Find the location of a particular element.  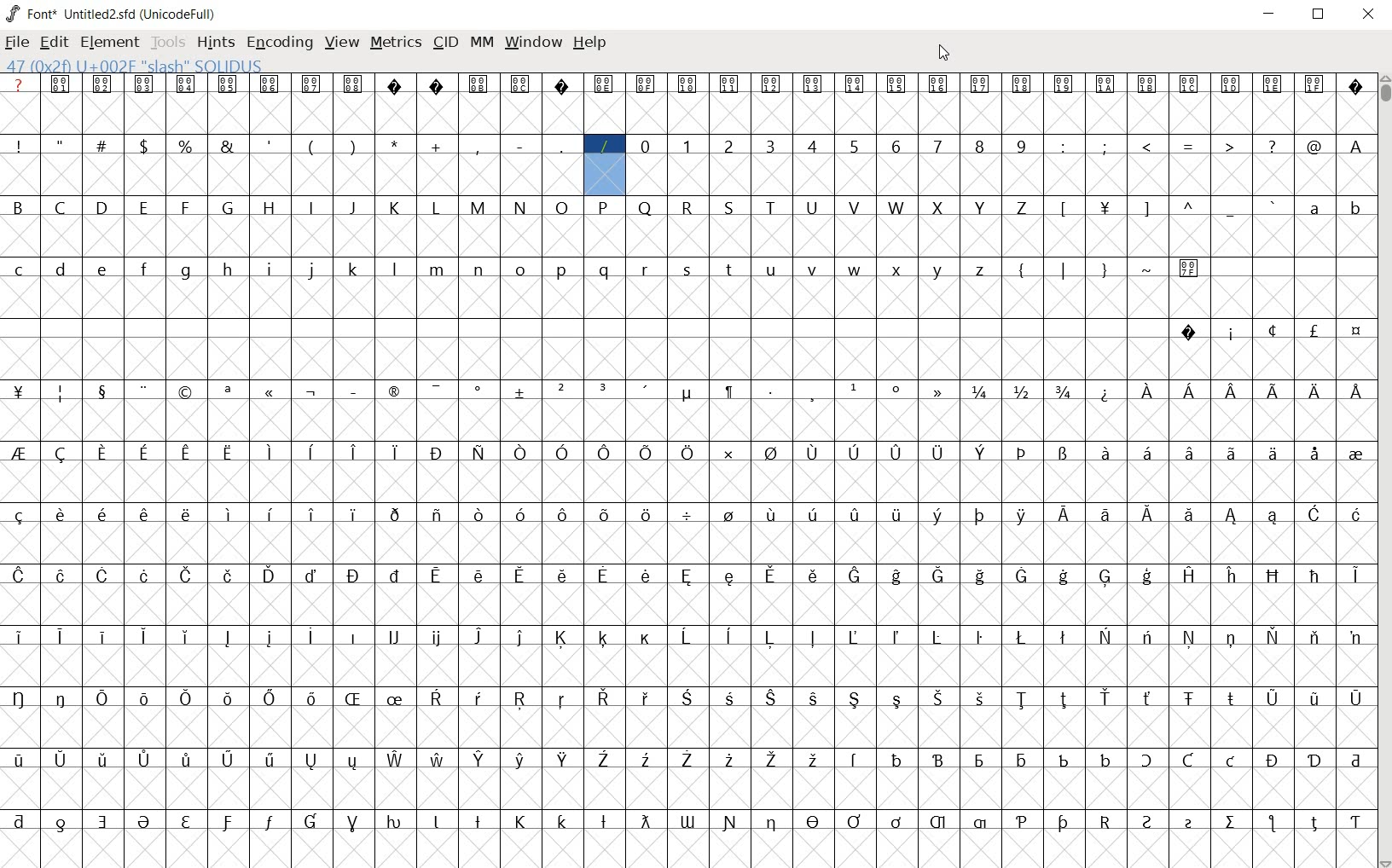

glyph is located at coordinates (143, 514).